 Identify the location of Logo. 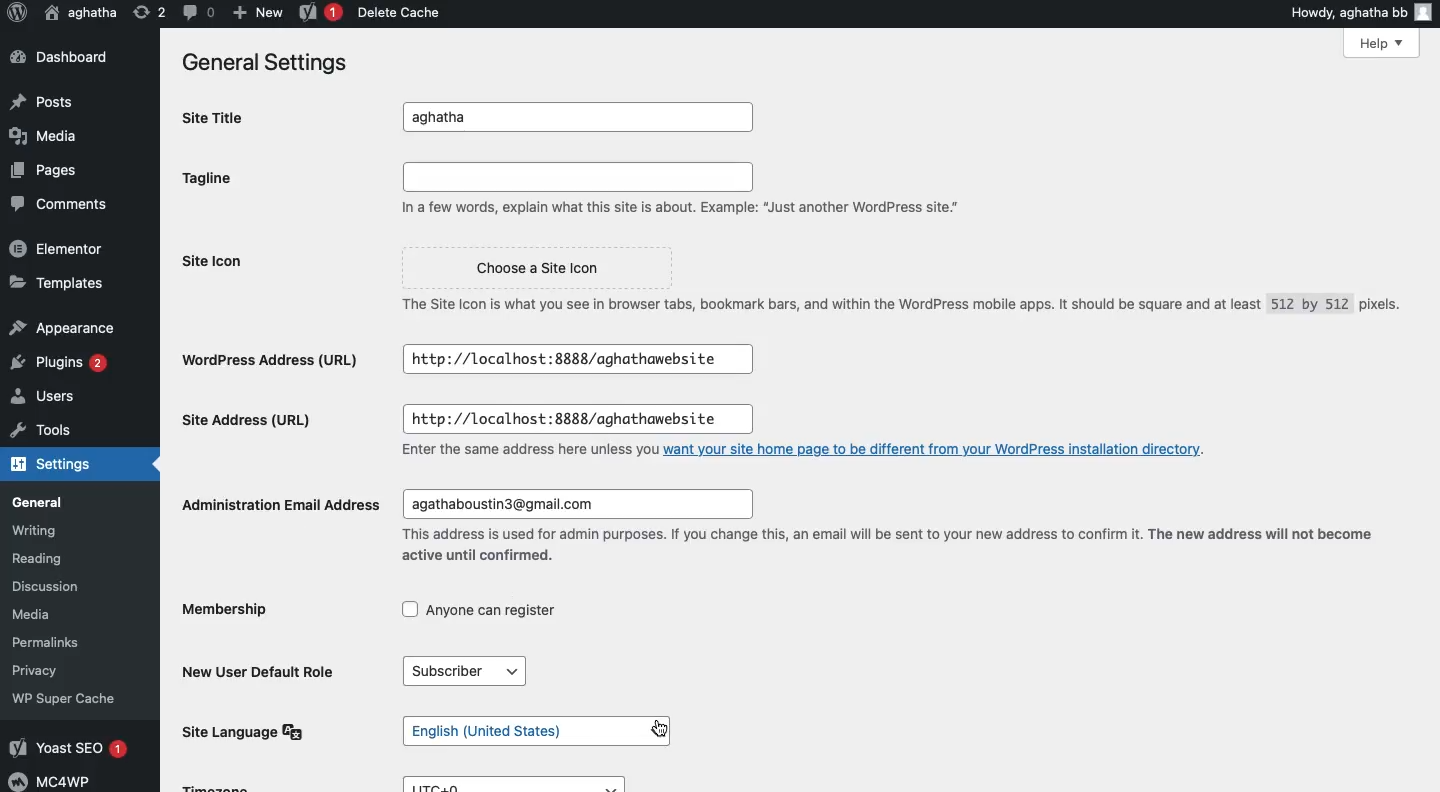
(17, 14).